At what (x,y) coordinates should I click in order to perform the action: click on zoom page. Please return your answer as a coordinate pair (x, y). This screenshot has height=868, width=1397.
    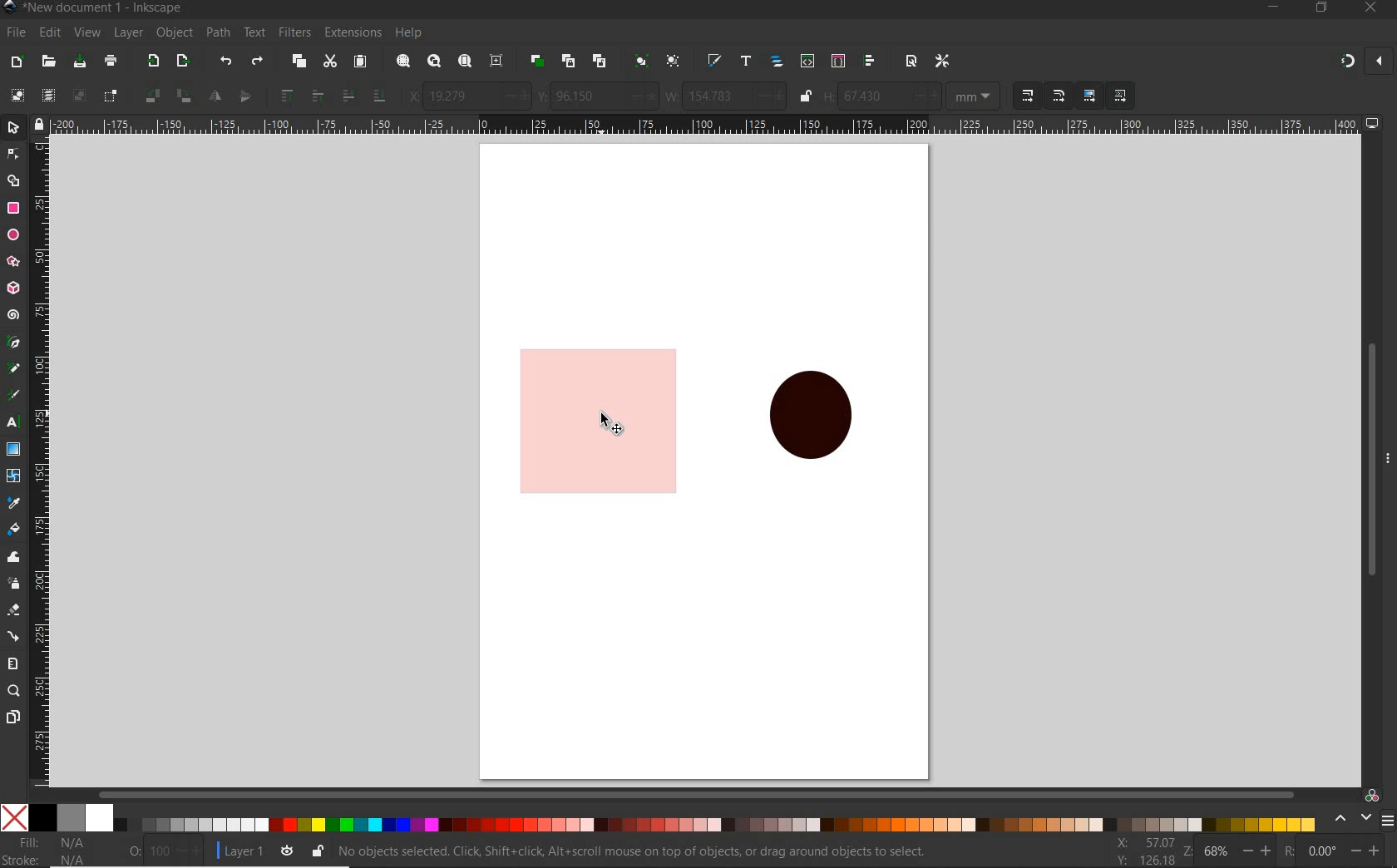
    Looking at the image, I should click on (465, 60).